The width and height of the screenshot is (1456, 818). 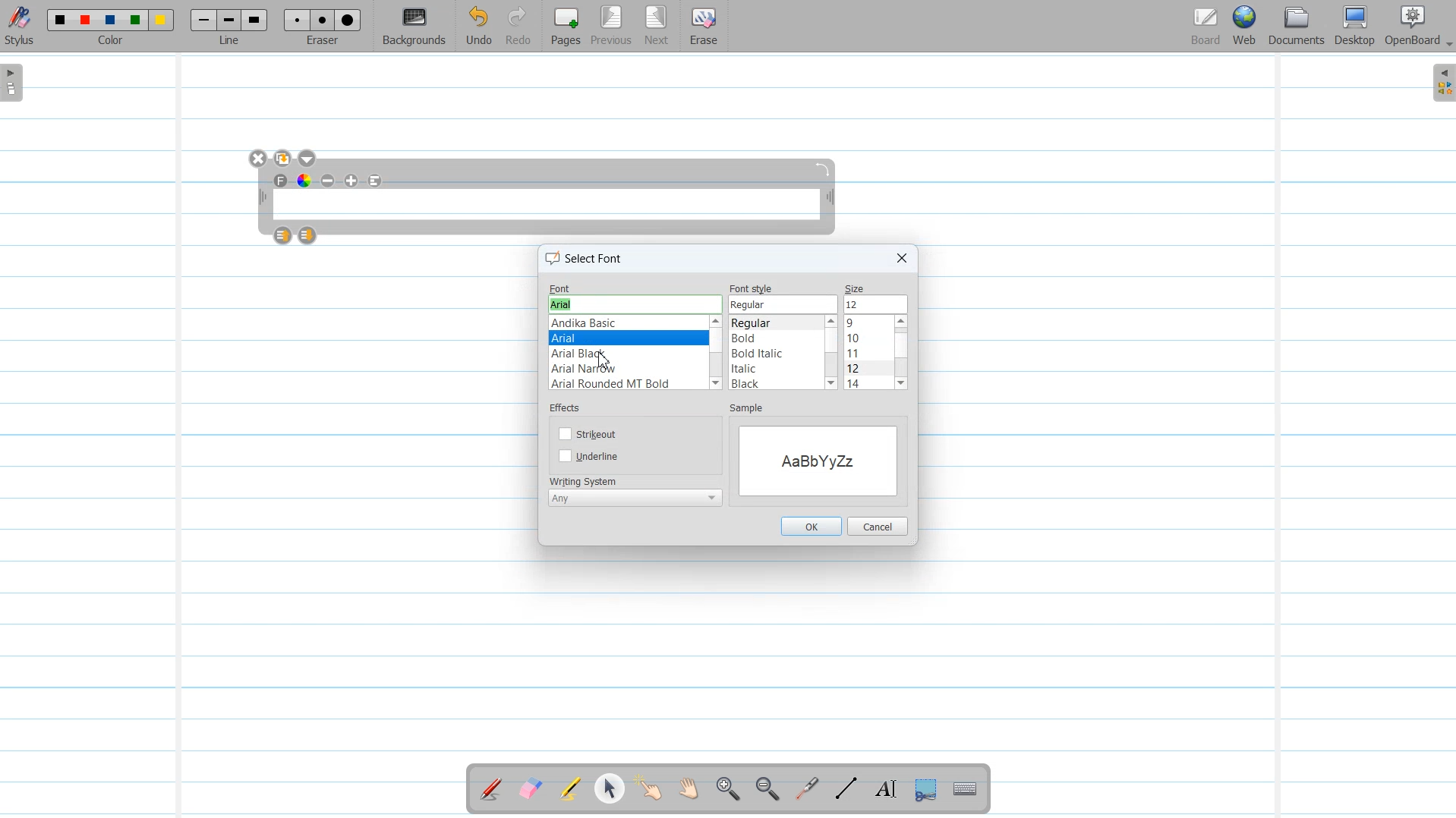 I want to click on Font name, so click(x=634, y=297).